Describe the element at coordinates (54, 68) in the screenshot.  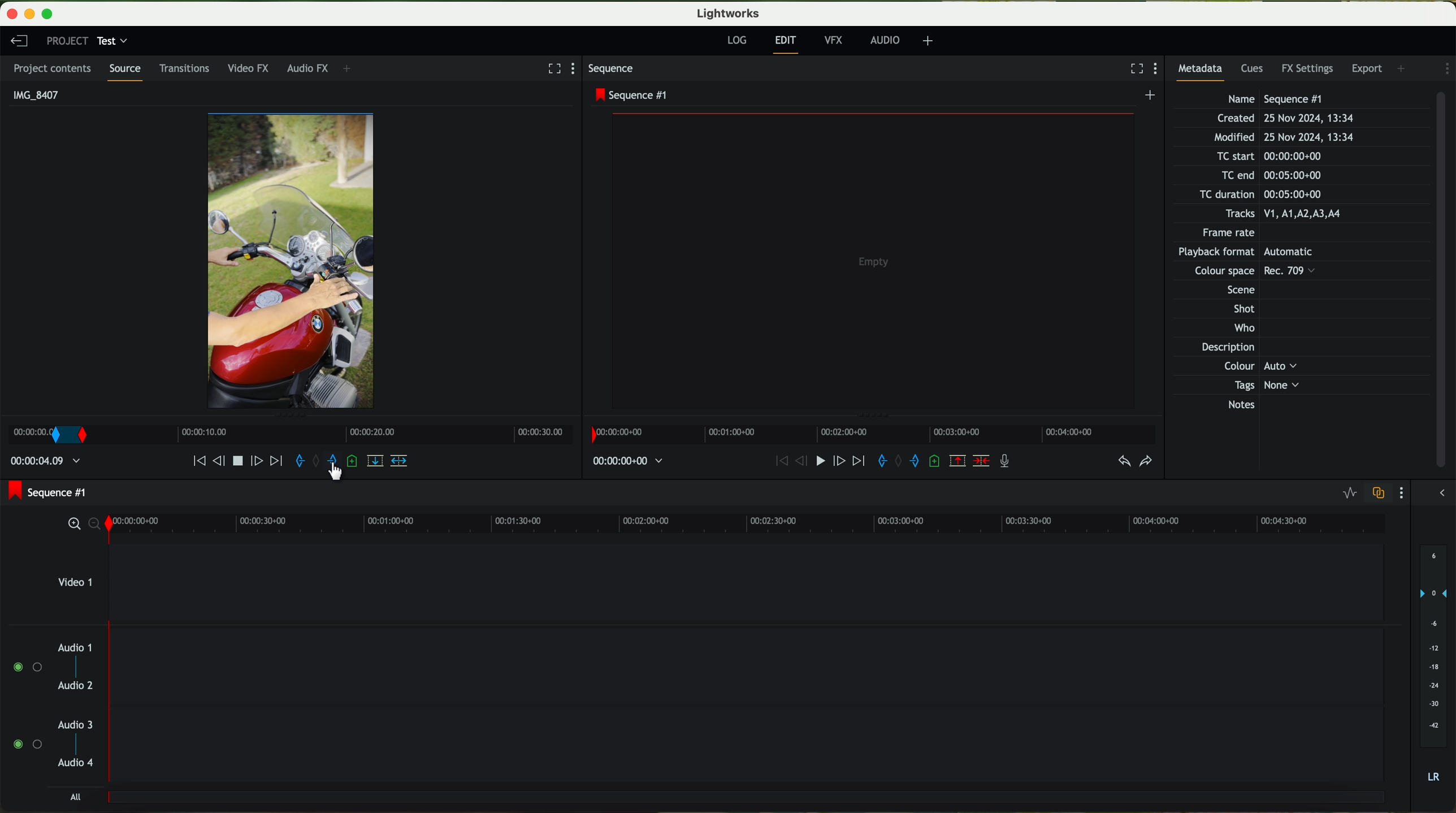
I see `project contents` at that location.